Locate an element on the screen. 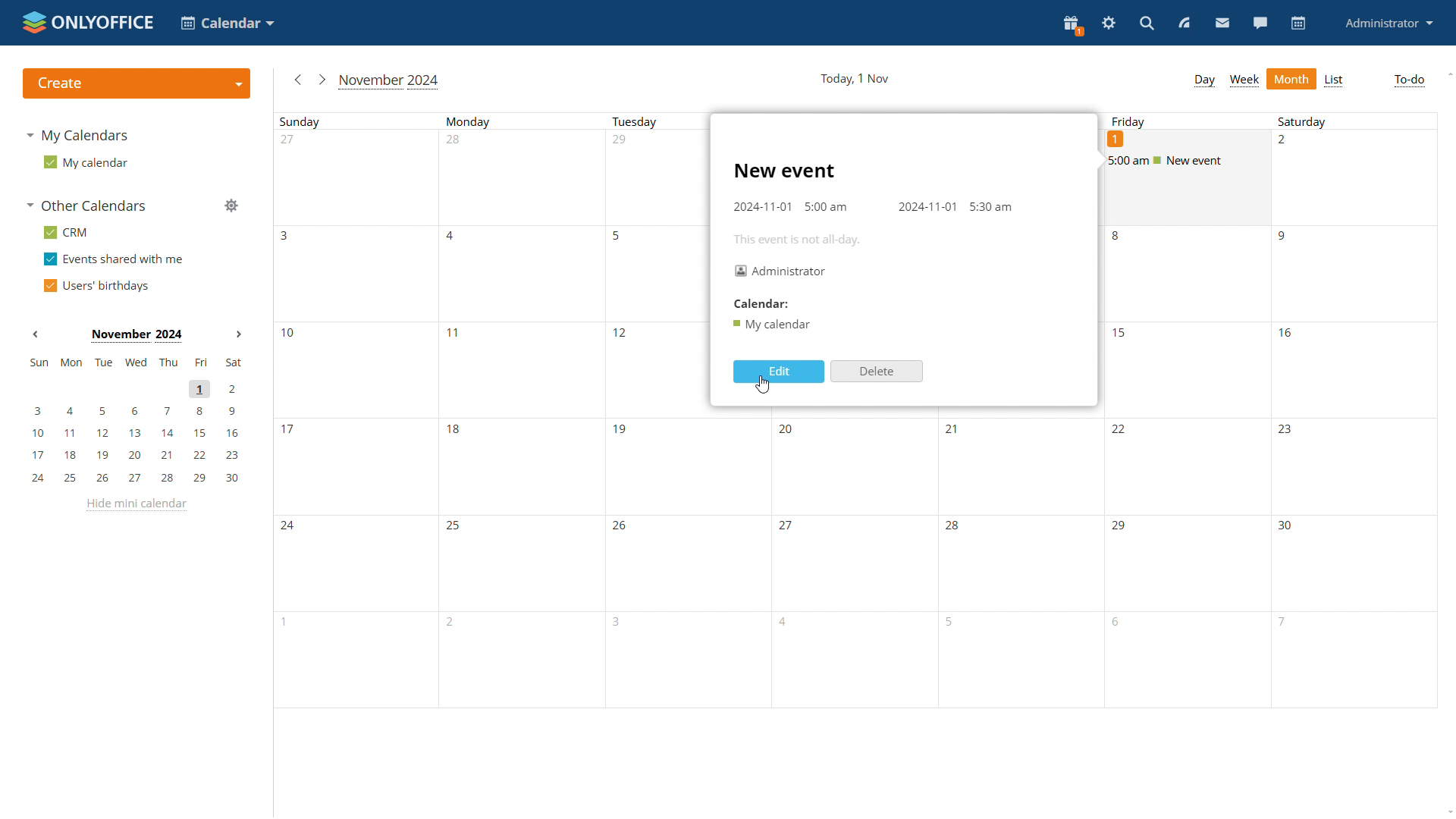 This screenshot has width=1456, height=819. cursor is located at coordinates (761, 385).